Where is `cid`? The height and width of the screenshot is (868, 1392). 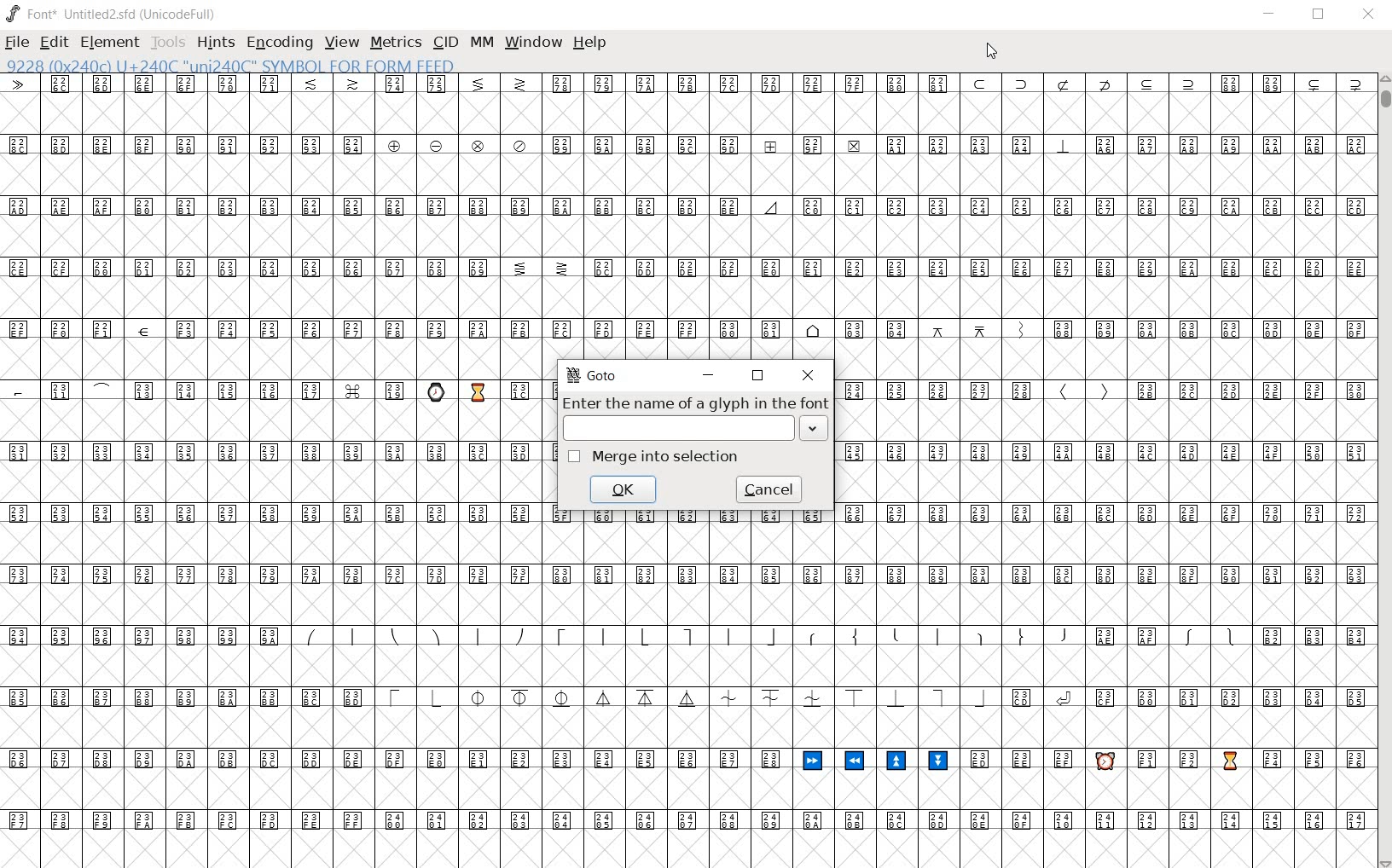 cid is located at coordinates (444, 43).